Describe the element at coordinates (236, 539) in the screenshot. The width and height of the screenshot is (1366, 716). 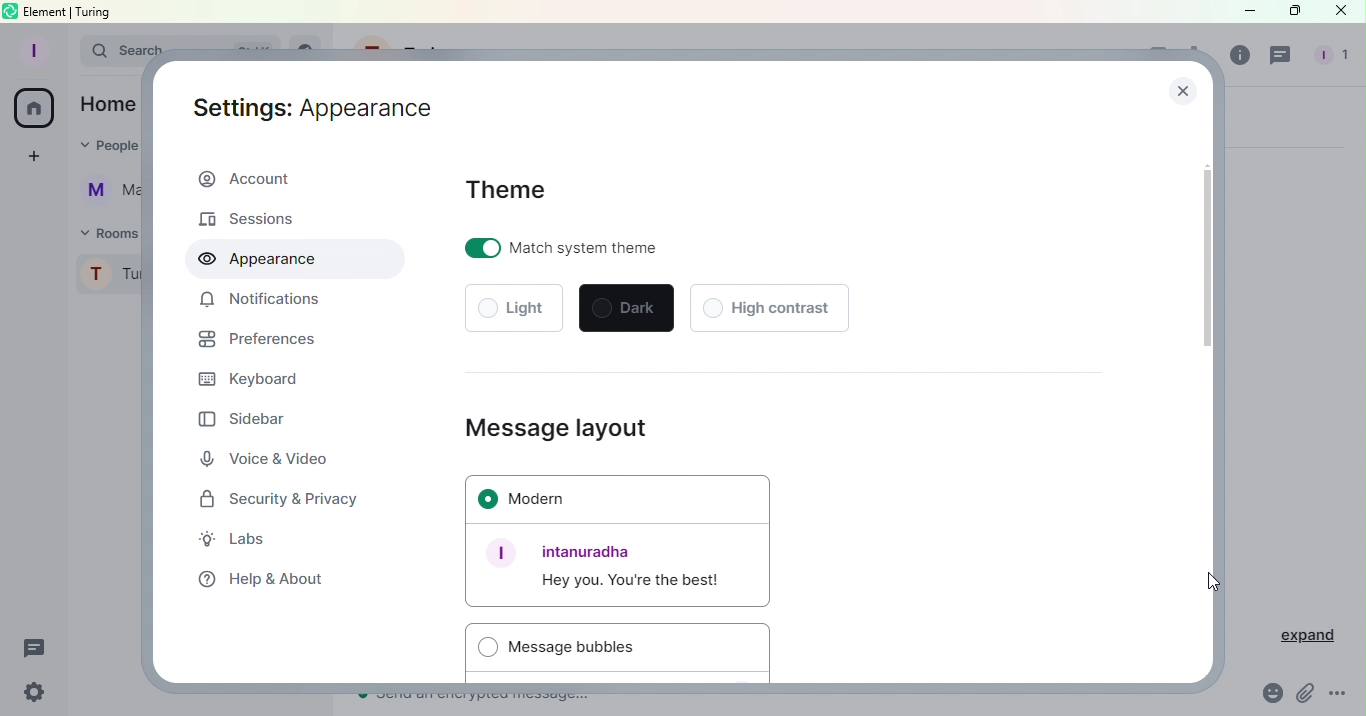
I see `Labs` at that location.